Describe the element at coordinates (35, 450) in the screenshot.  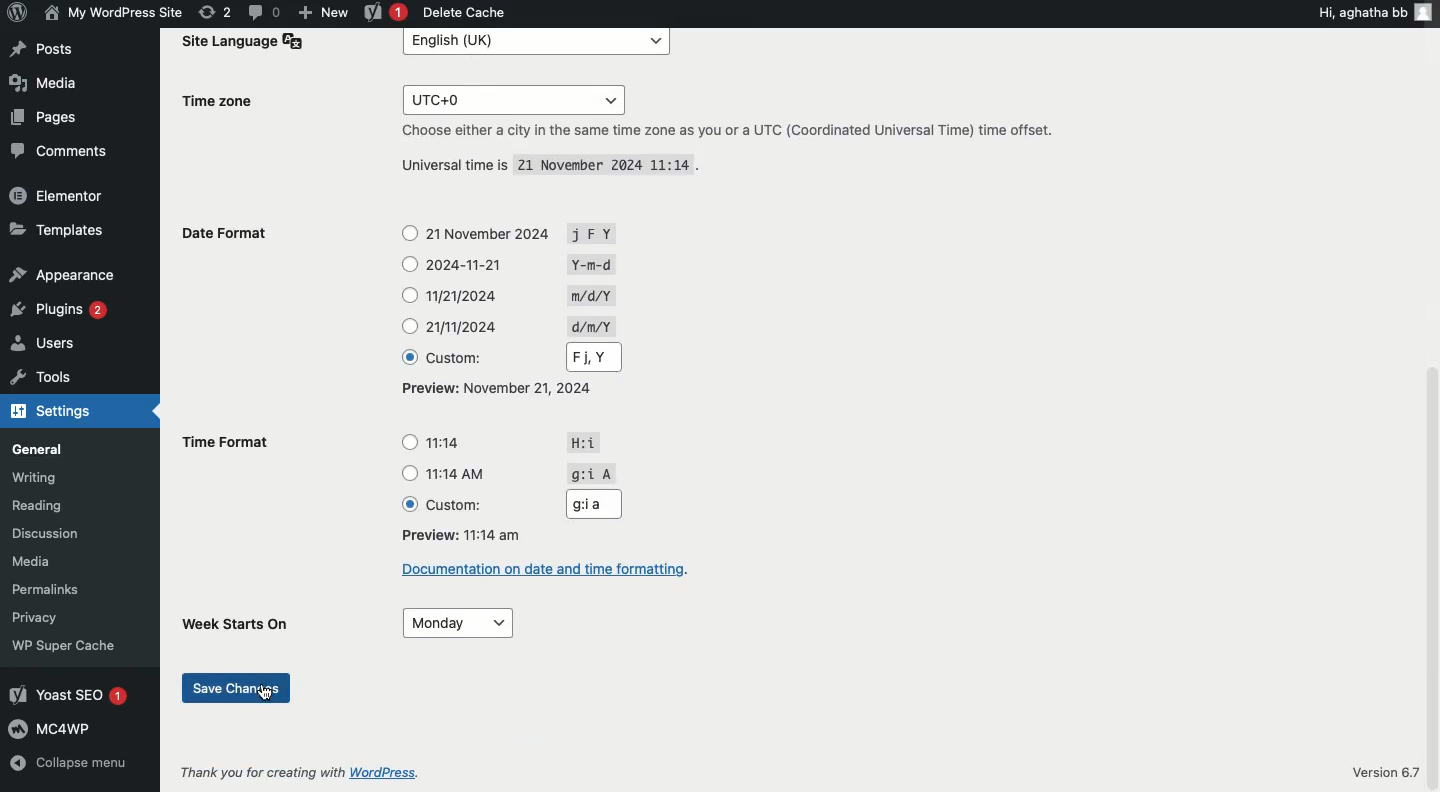
I see `General` at that location.